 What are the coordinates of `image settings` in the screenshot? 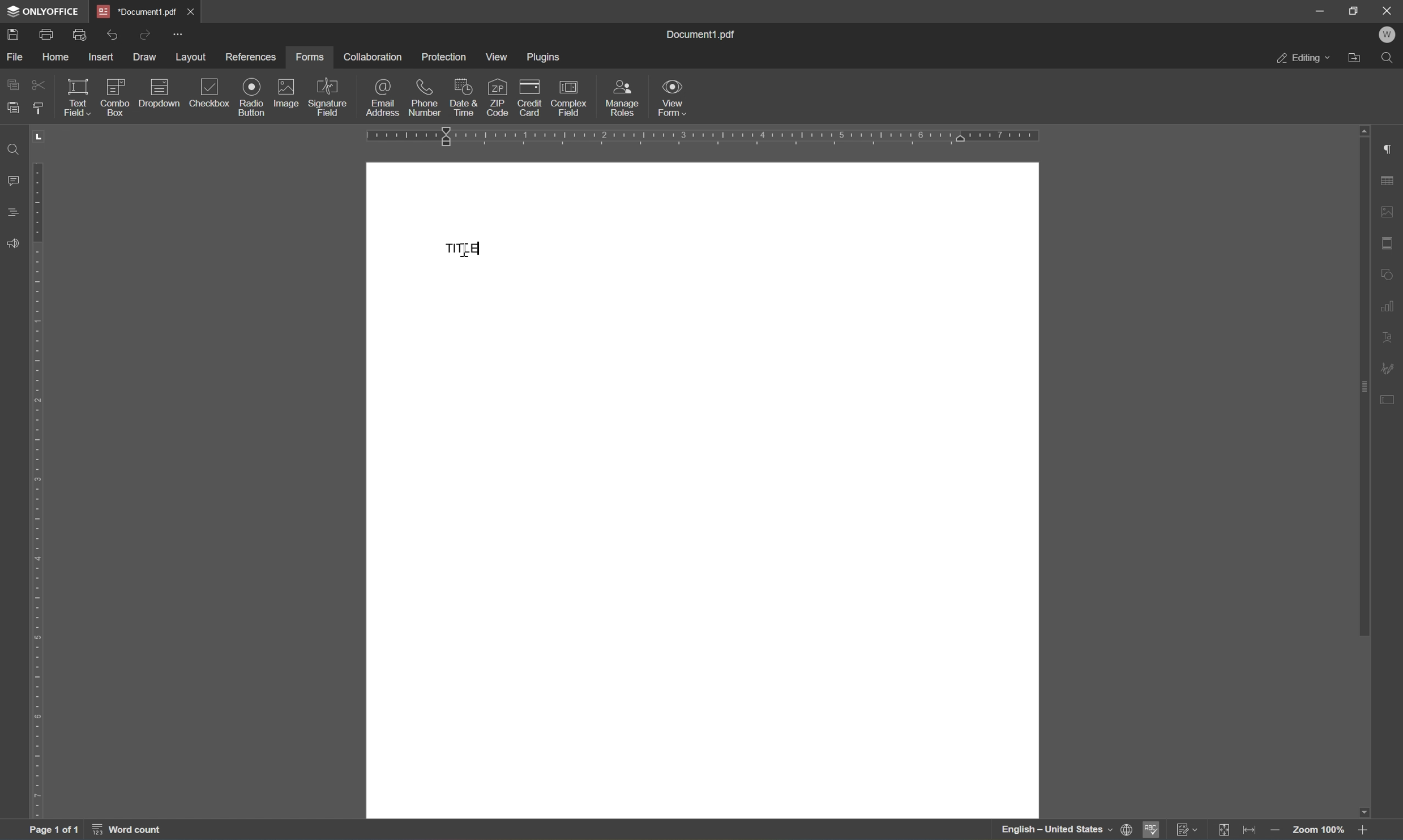 It's located at (1391, 212).